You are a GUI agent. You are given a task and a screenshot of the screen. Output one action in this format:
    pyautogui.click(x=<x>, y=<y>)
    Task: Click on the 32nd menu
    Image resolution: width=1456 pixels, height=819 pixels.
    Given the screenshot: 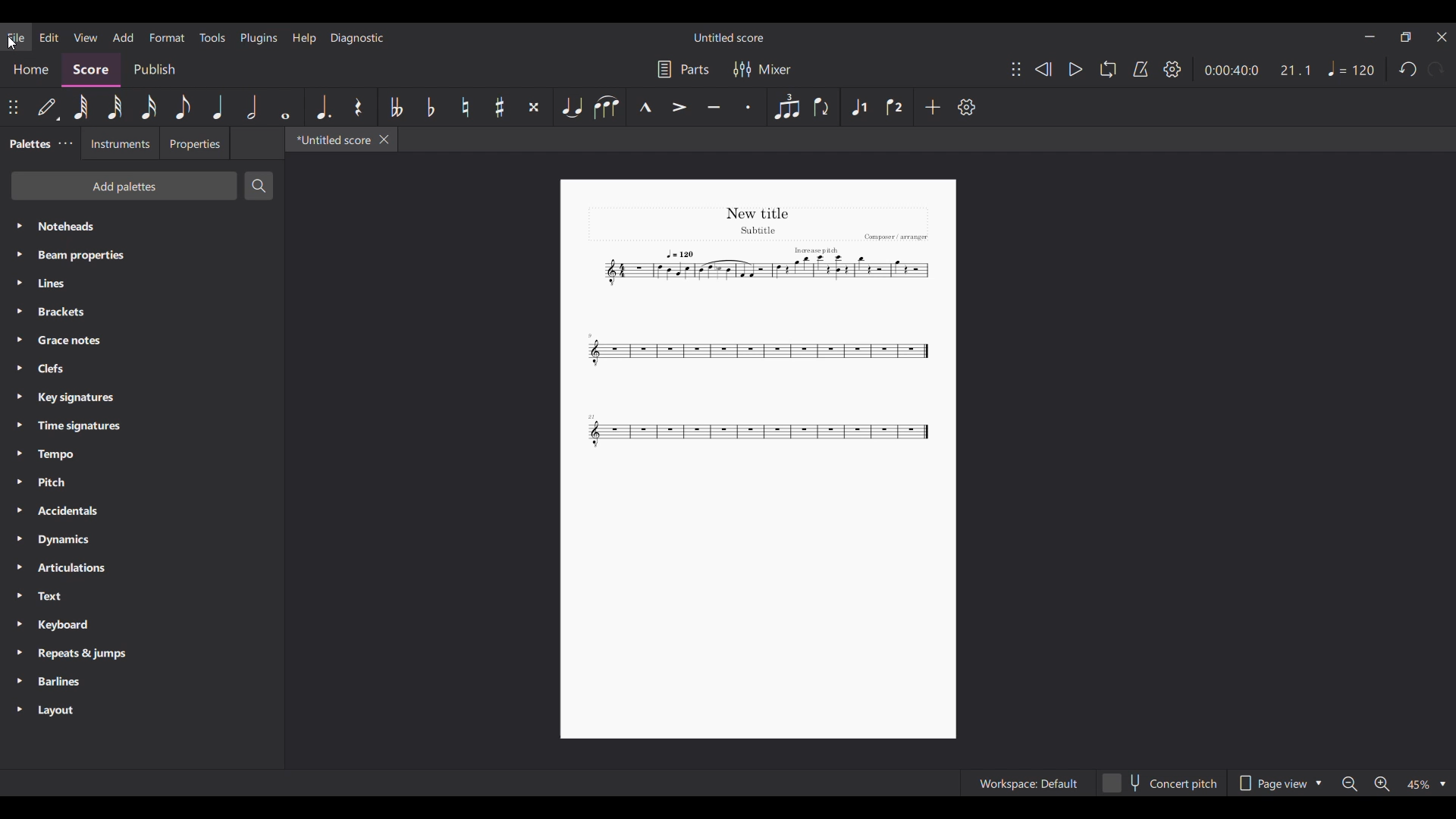 What is the action you would take?
    pyautogui.click(x=115, y=107)
    